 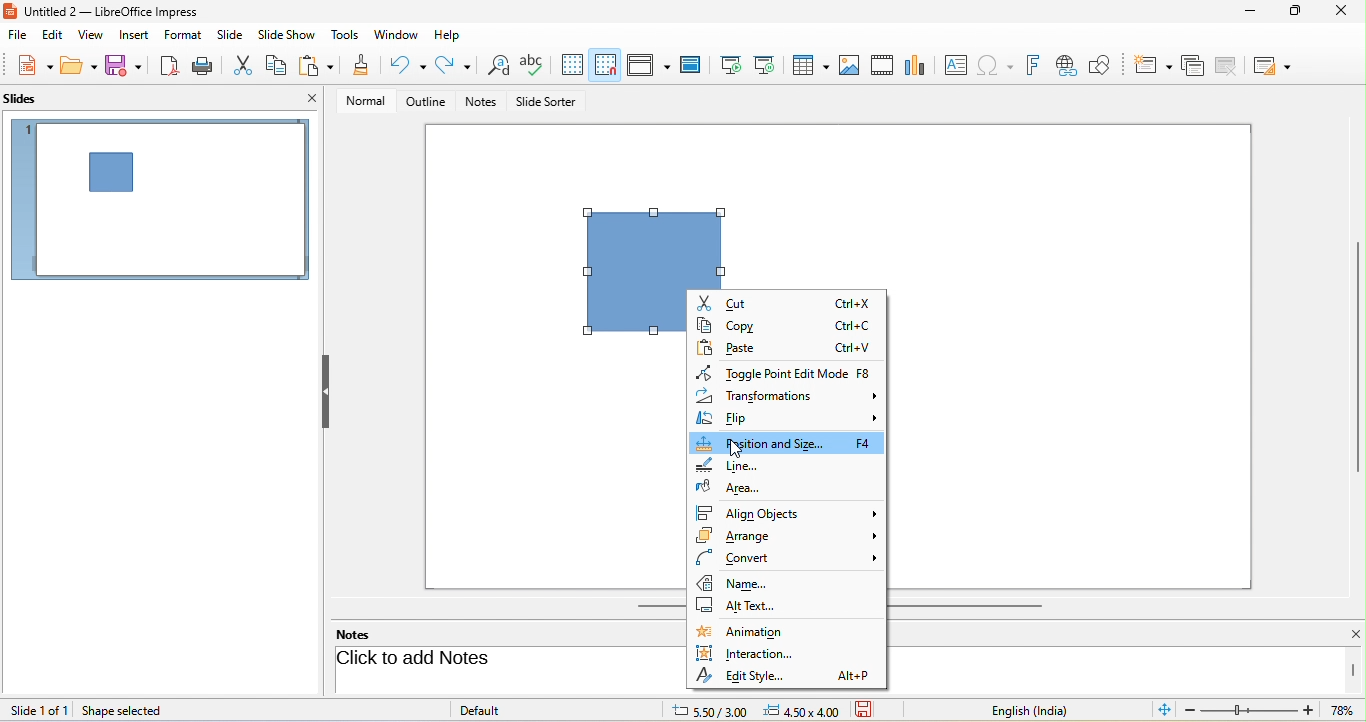 I want to click on file, so click(x=18, y=36).